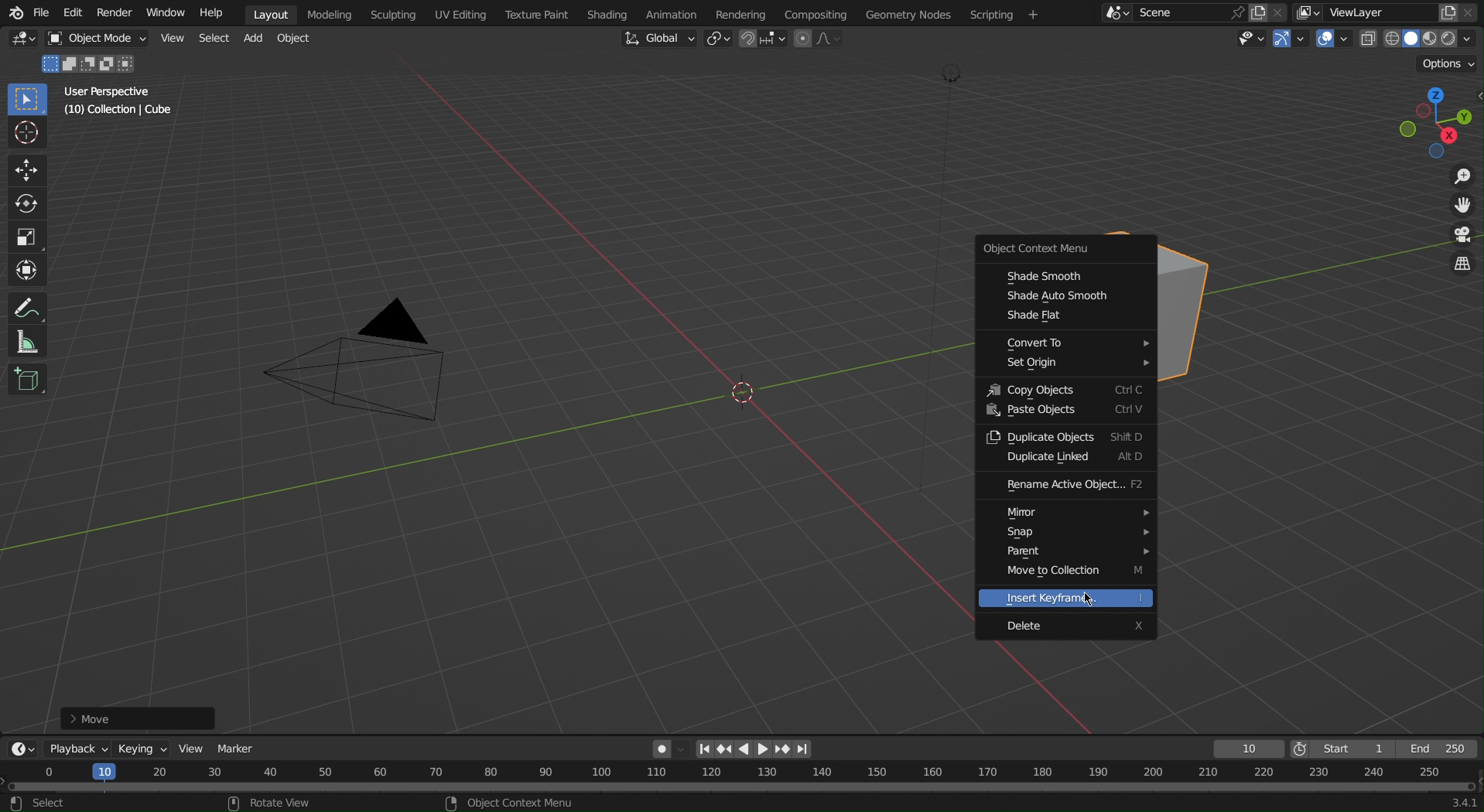 This screenshot has width=1484, height=812. I want to click on First page, so click(704, 749).